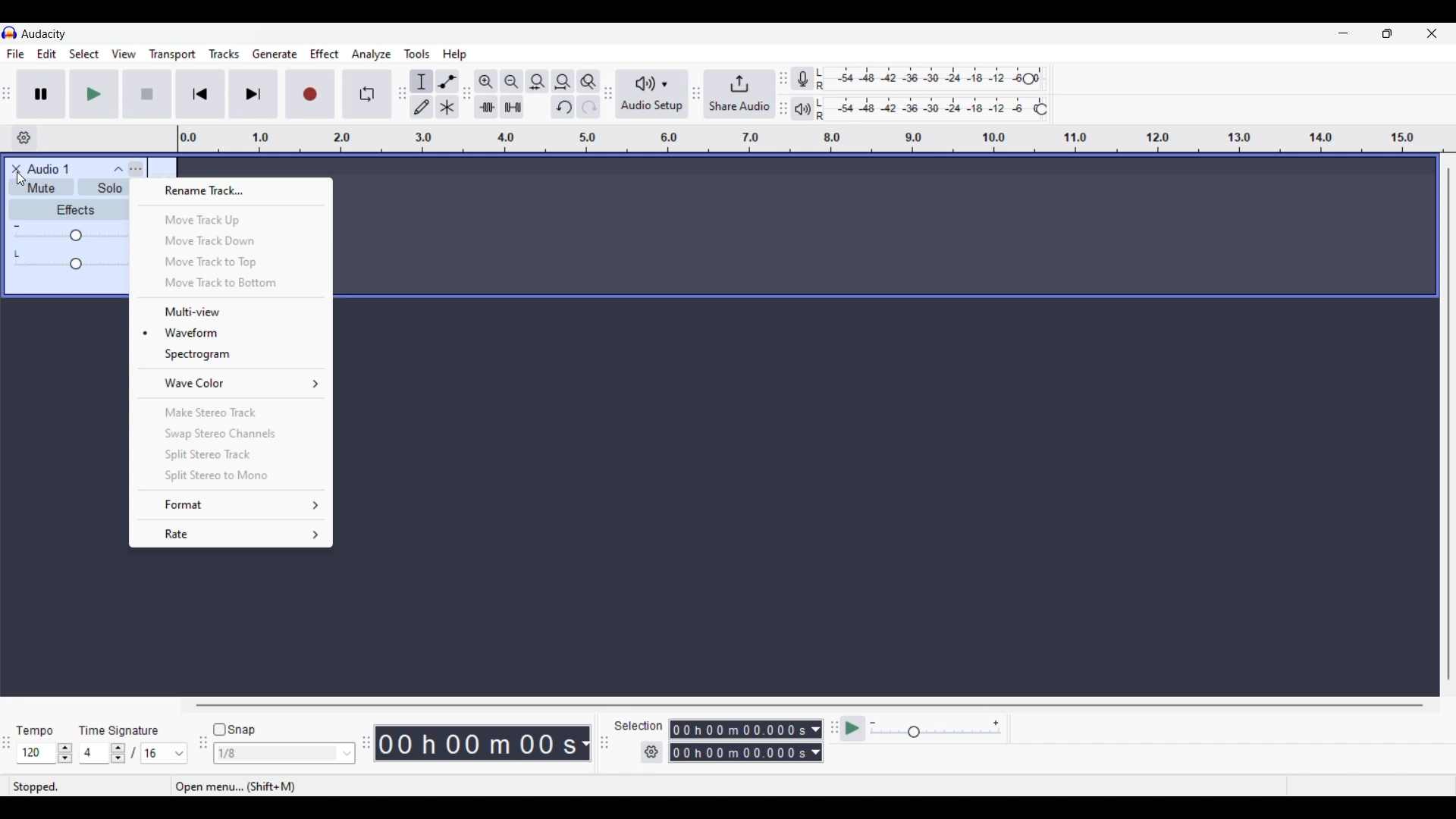 This screenshot has height=819, width=1456. I want to click on Zoom out, so click(511, 81).